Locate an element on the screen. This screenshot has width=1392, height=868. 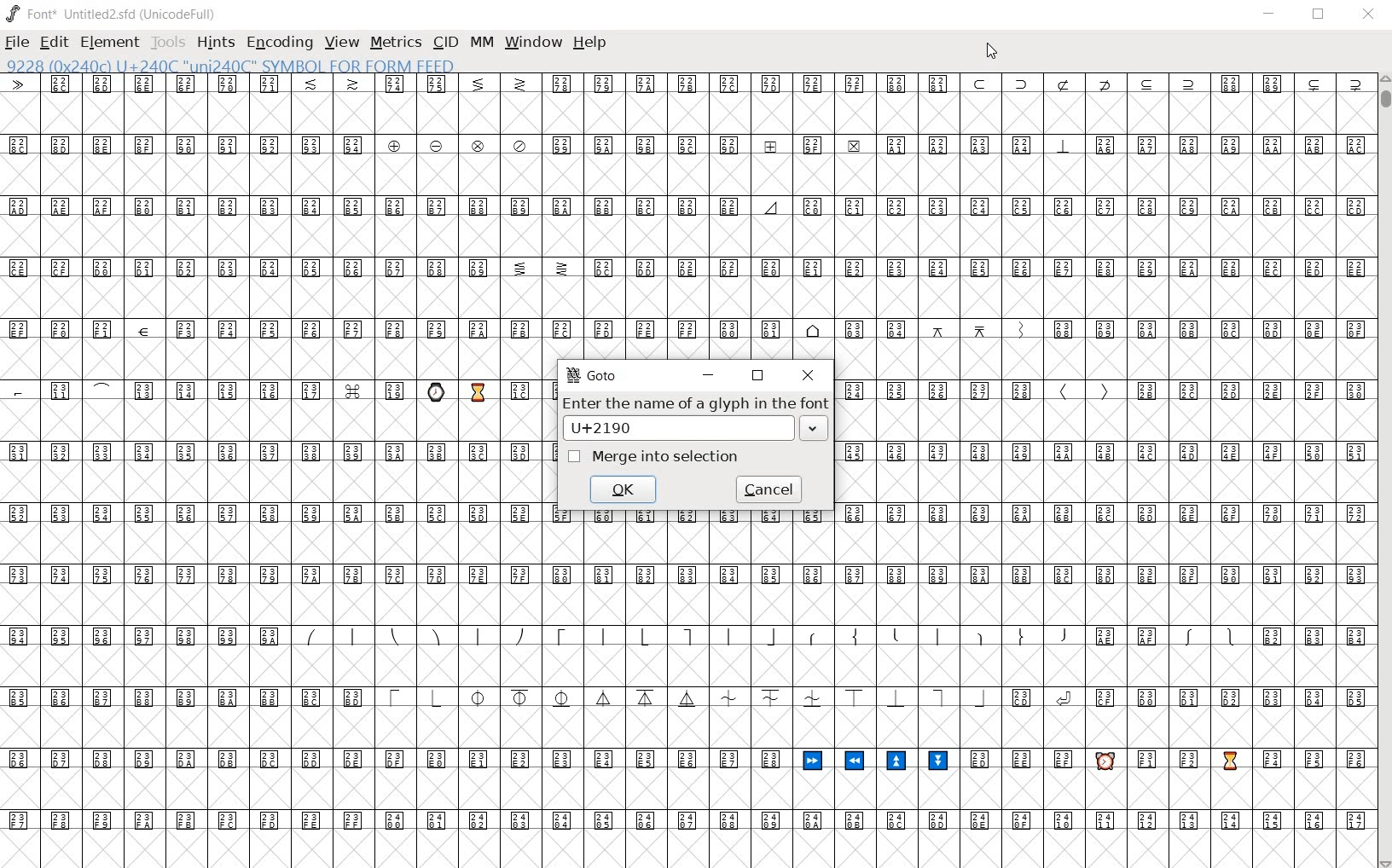
GoTo is located at coordinates (589, 375).